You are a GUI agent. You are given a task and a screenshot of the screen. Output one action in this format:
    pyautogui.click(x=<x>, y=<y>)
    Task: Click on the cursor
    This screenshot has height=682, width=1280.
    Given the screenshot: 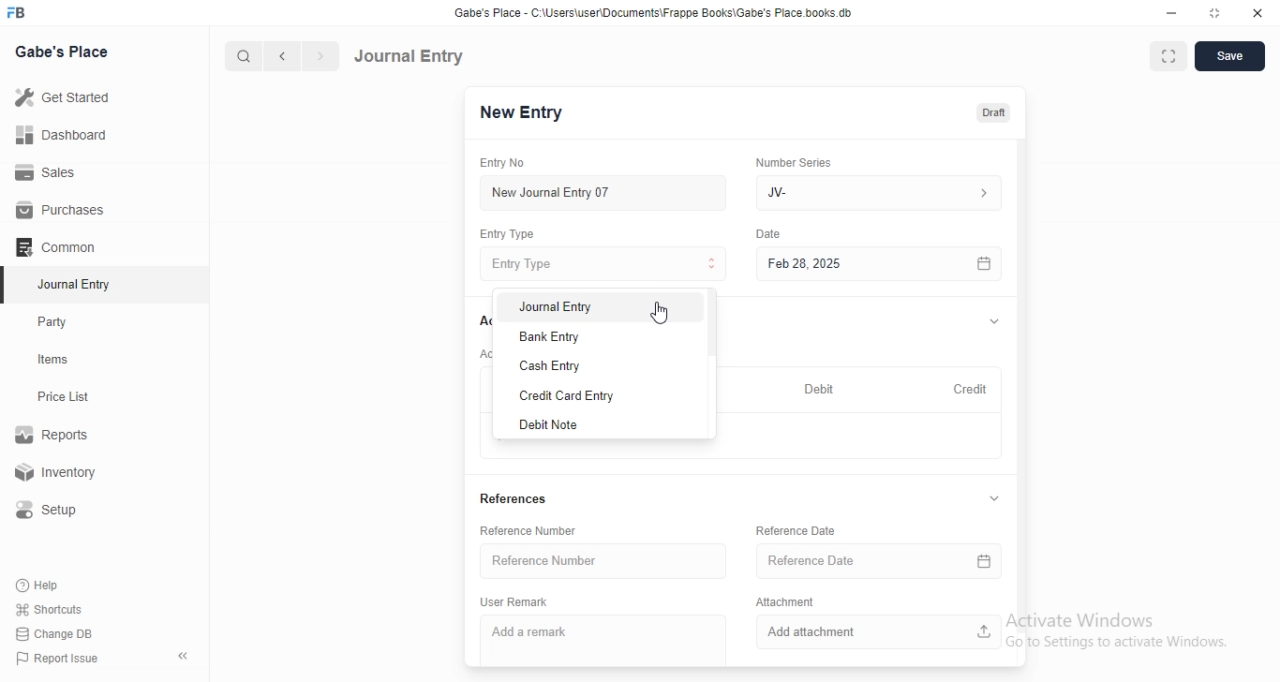 What is the action you would take?
    pyautogui.click(x=662, y=310)
    